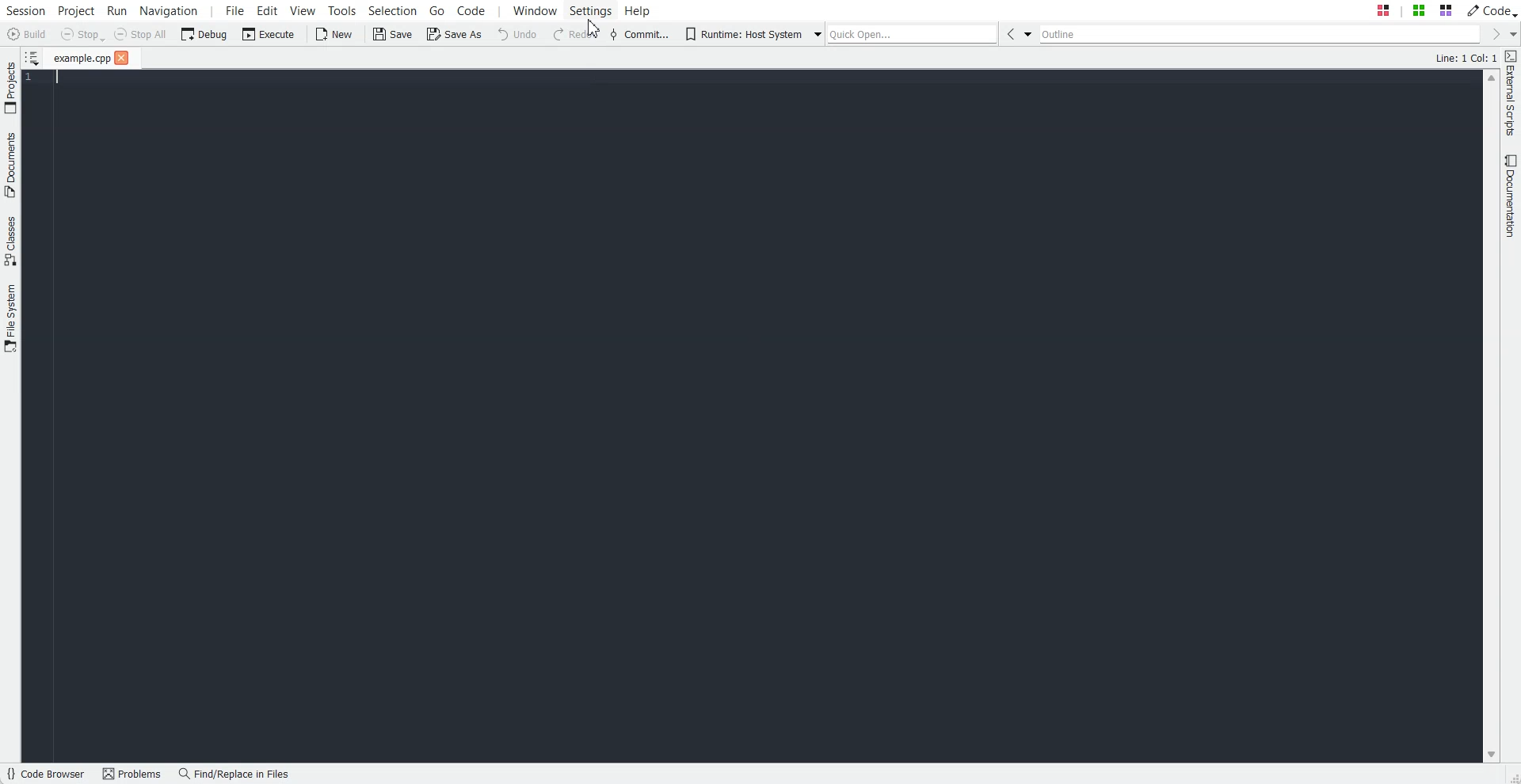  I want to click on Execute, so click(269, 34).